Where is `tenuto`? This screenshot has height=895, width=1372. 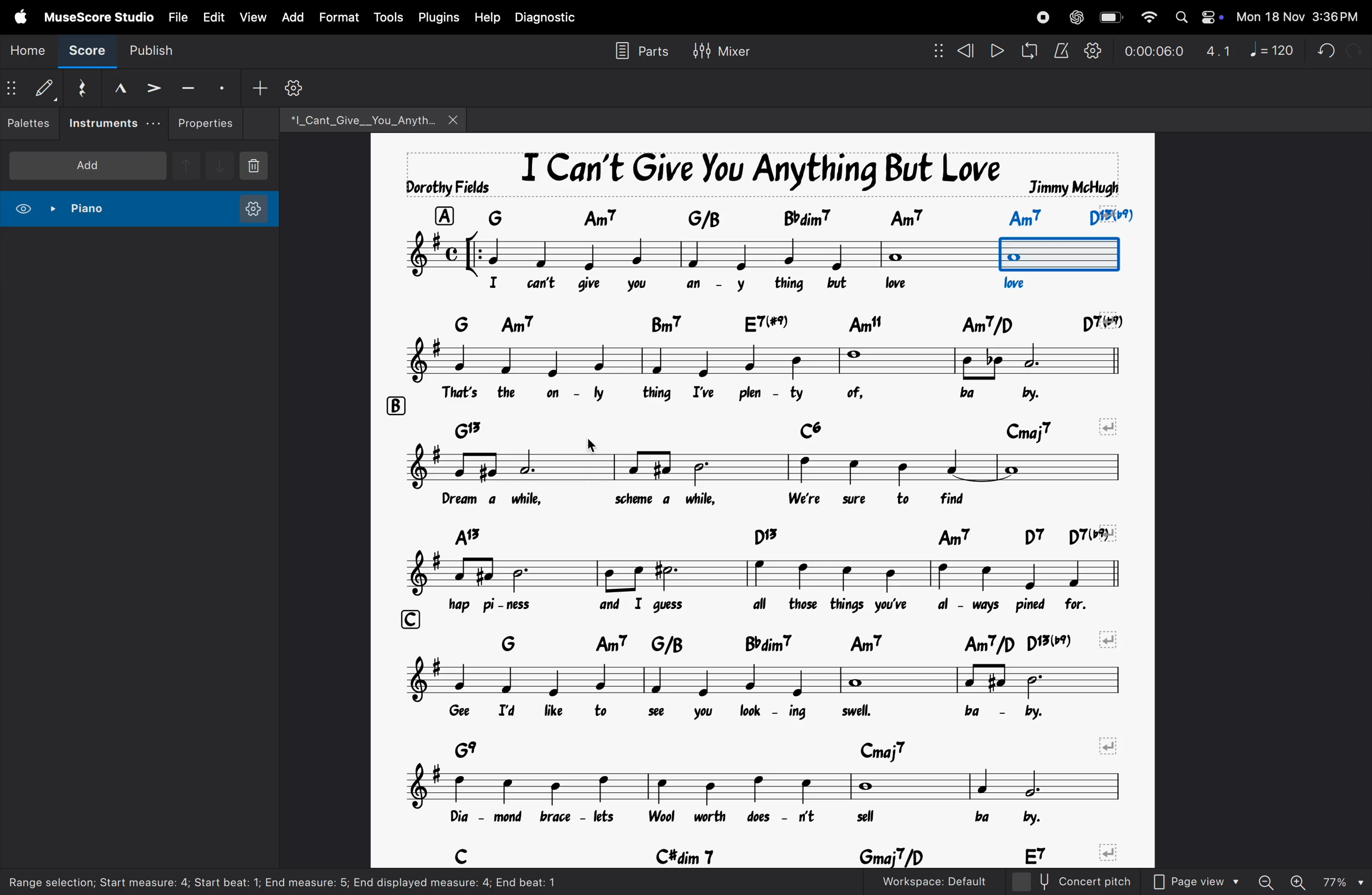 tenuto is located at coordinates (188, 87).